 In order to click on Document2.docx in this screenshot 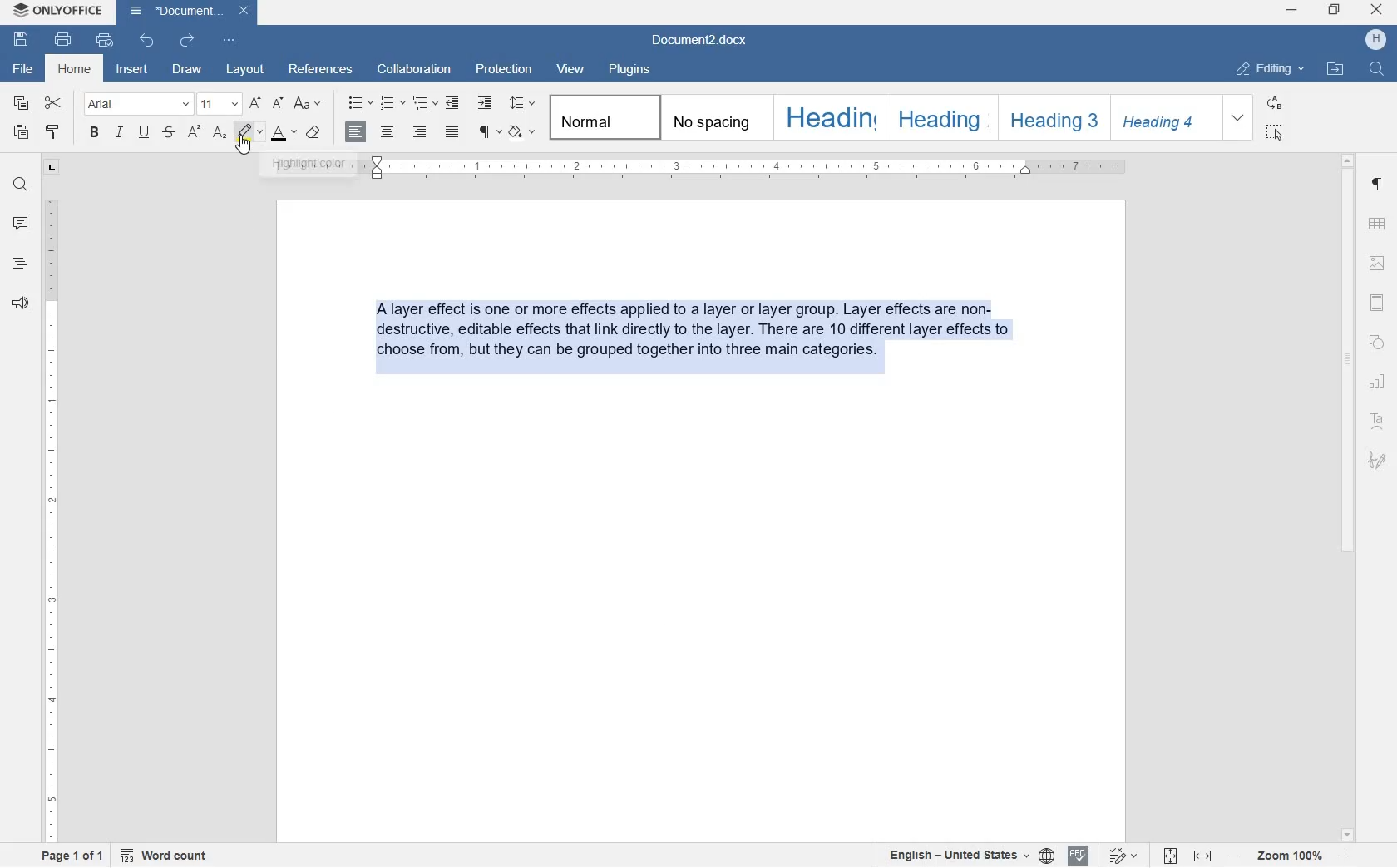, I will do `click(187, 13)`.